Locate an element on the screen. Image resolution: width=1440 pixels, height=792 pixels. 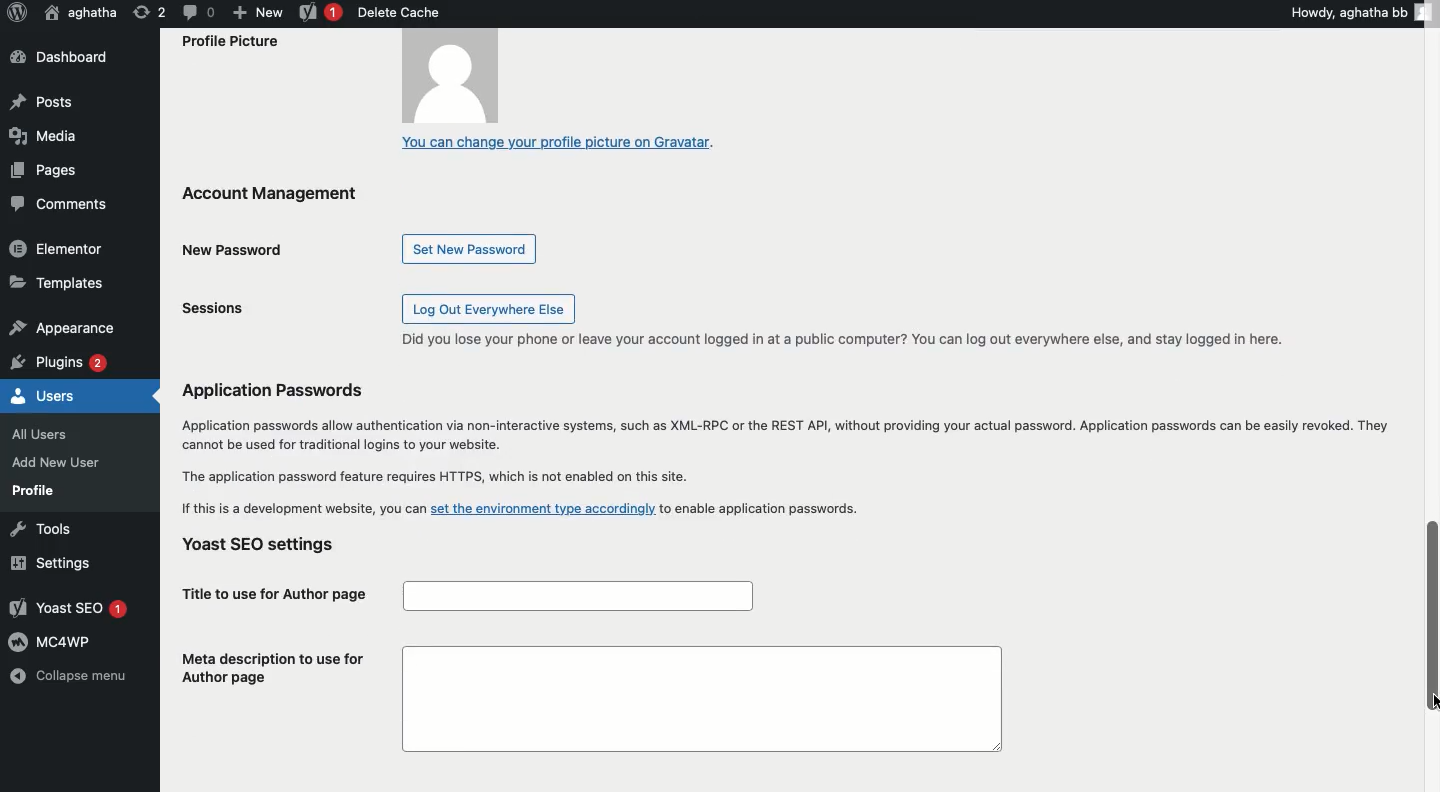
SEO settings is located at coordinates (269, 547).